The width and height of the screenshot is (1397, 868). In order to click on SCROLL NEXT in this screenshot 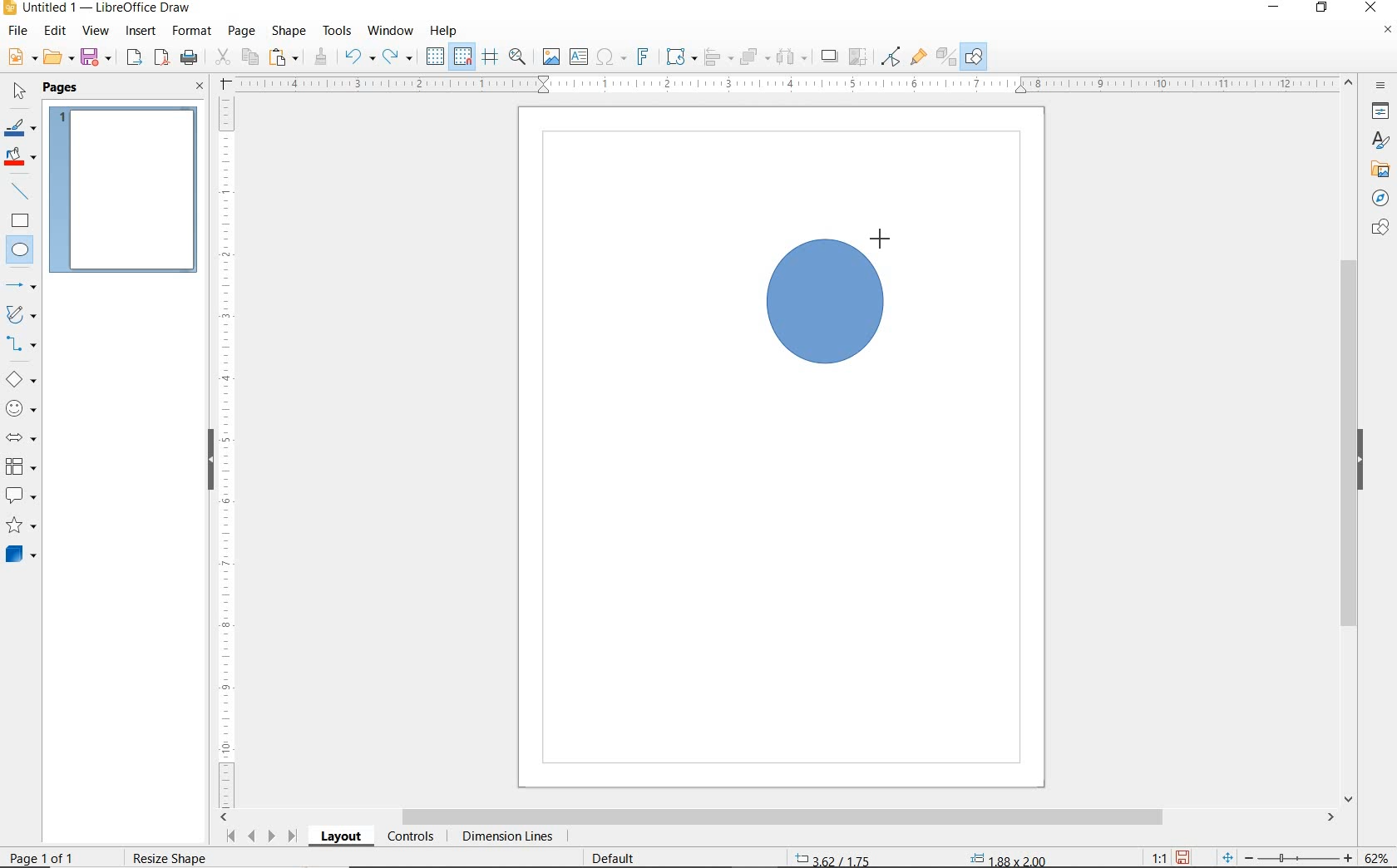, I will do `click(259, 836)`.